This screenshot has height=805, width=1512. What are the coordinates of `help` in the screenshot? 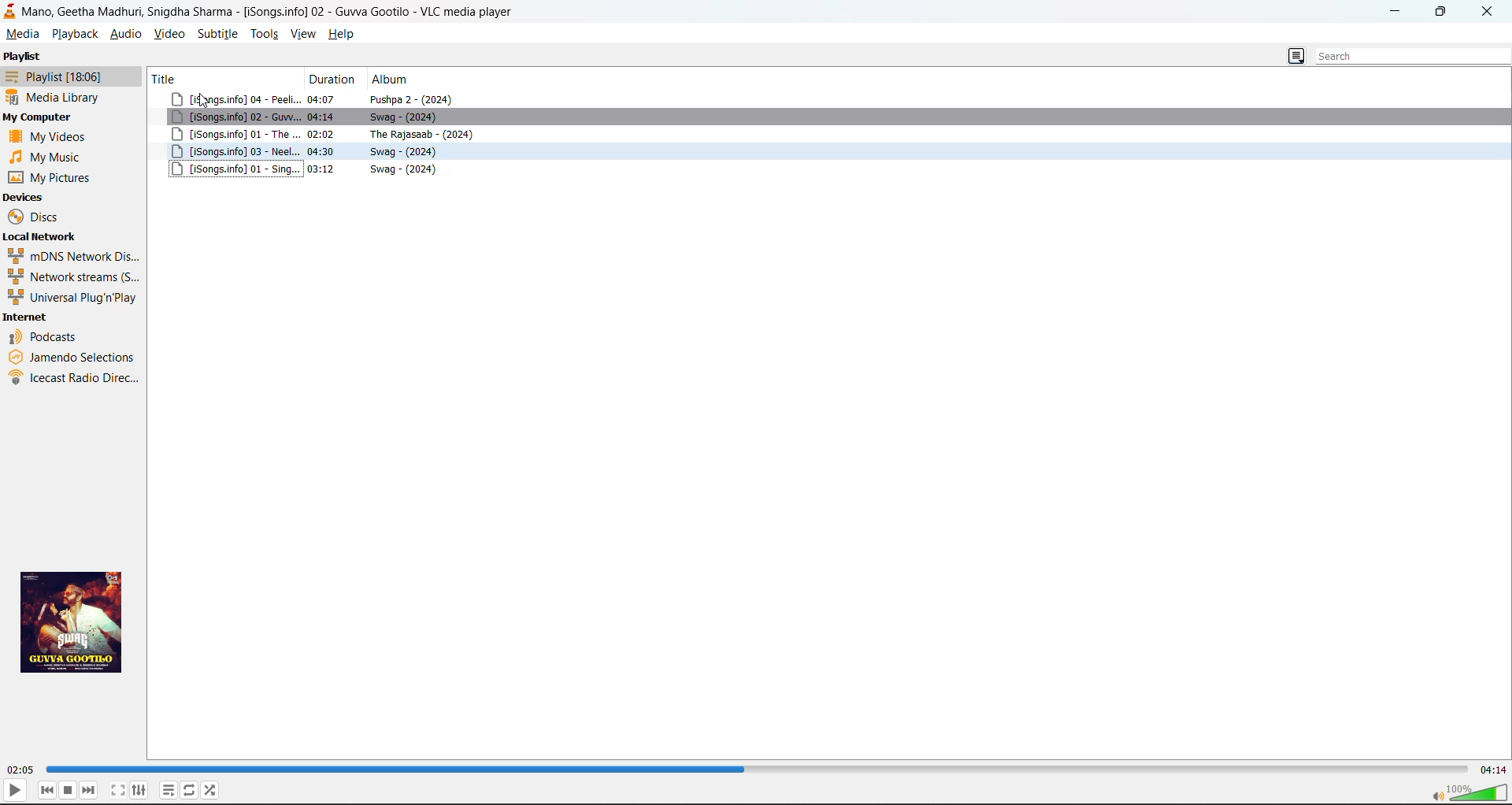 It's located at (341, 33).